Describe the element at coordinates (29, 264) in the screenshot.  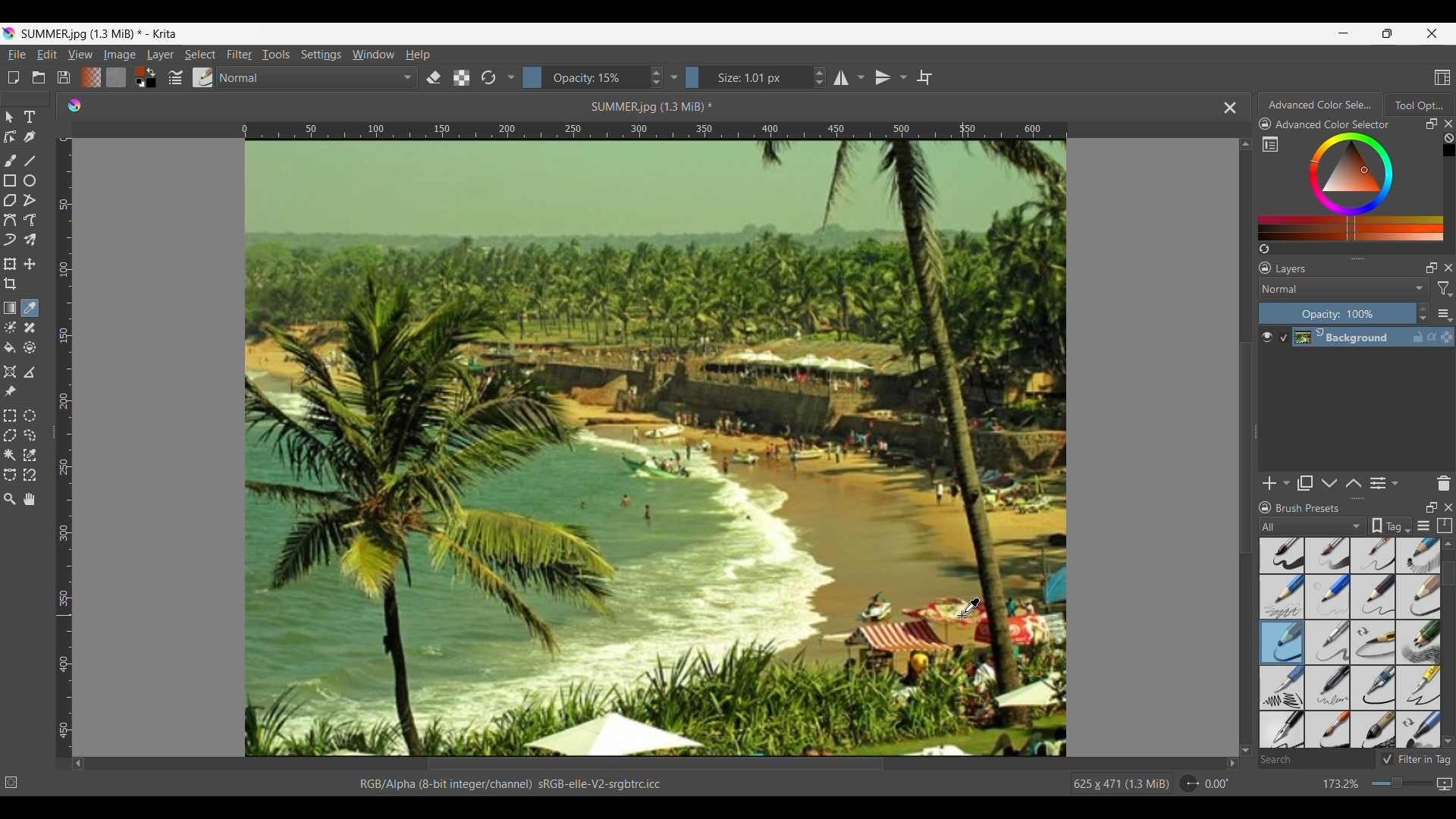
I see `Move a layer` at that location.